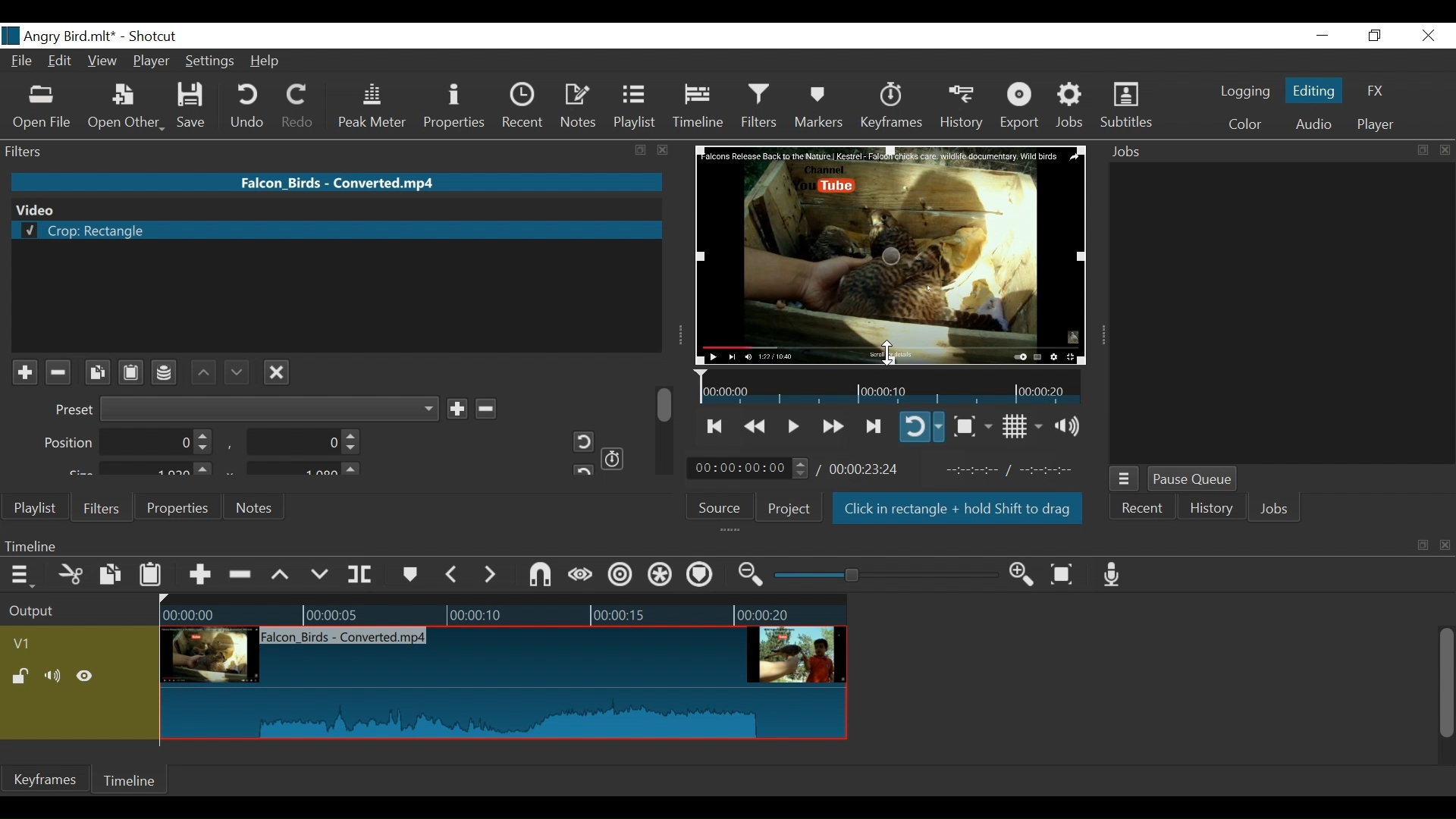 The image size is (1456, 819). Describe the element at coordinates (211, 63) in the screenshot. I see `Settings` at that location.